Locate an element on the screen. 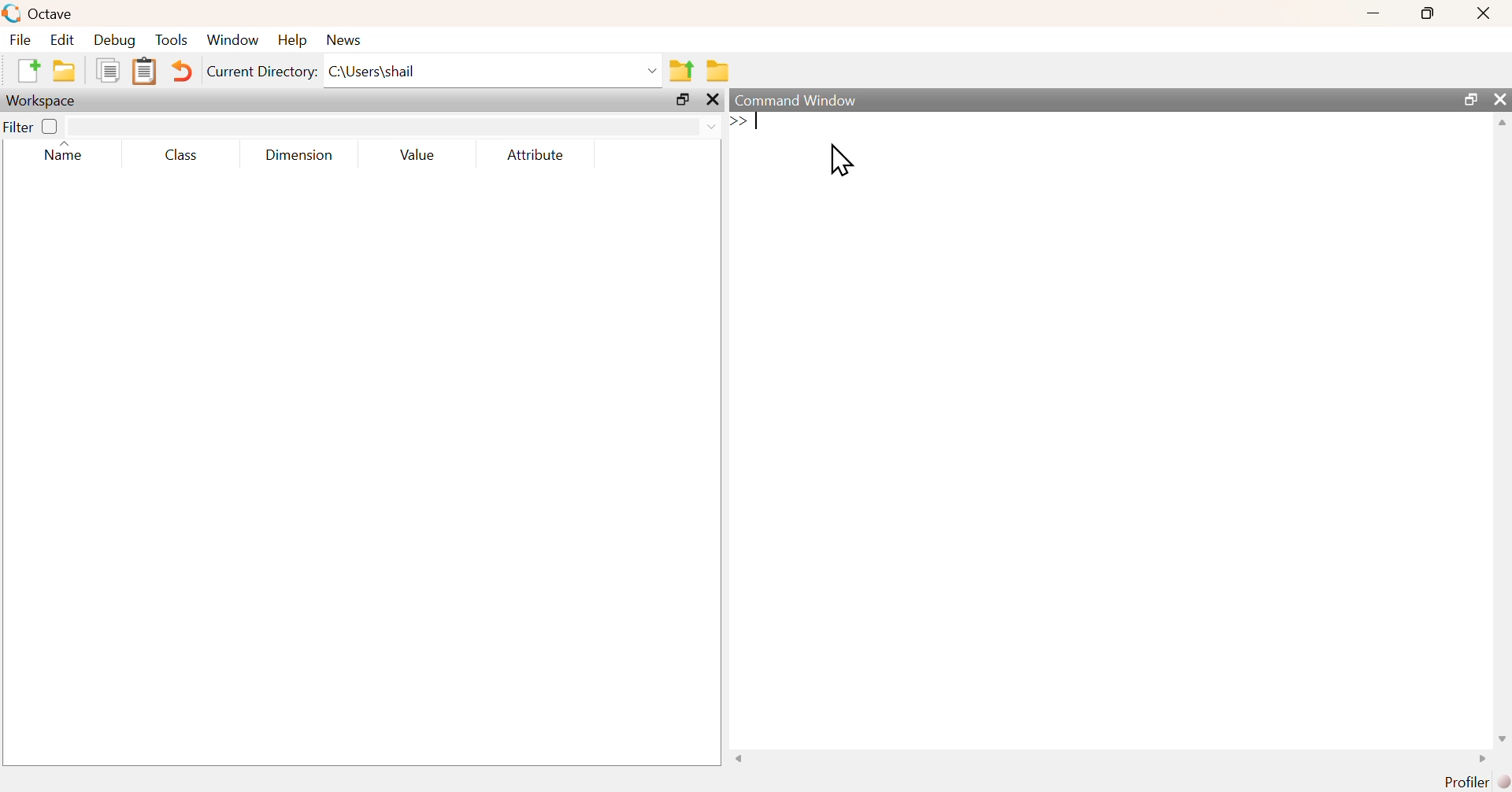 This screenshot has width=1512, height=792. search box is located at coordinates (377, 127).